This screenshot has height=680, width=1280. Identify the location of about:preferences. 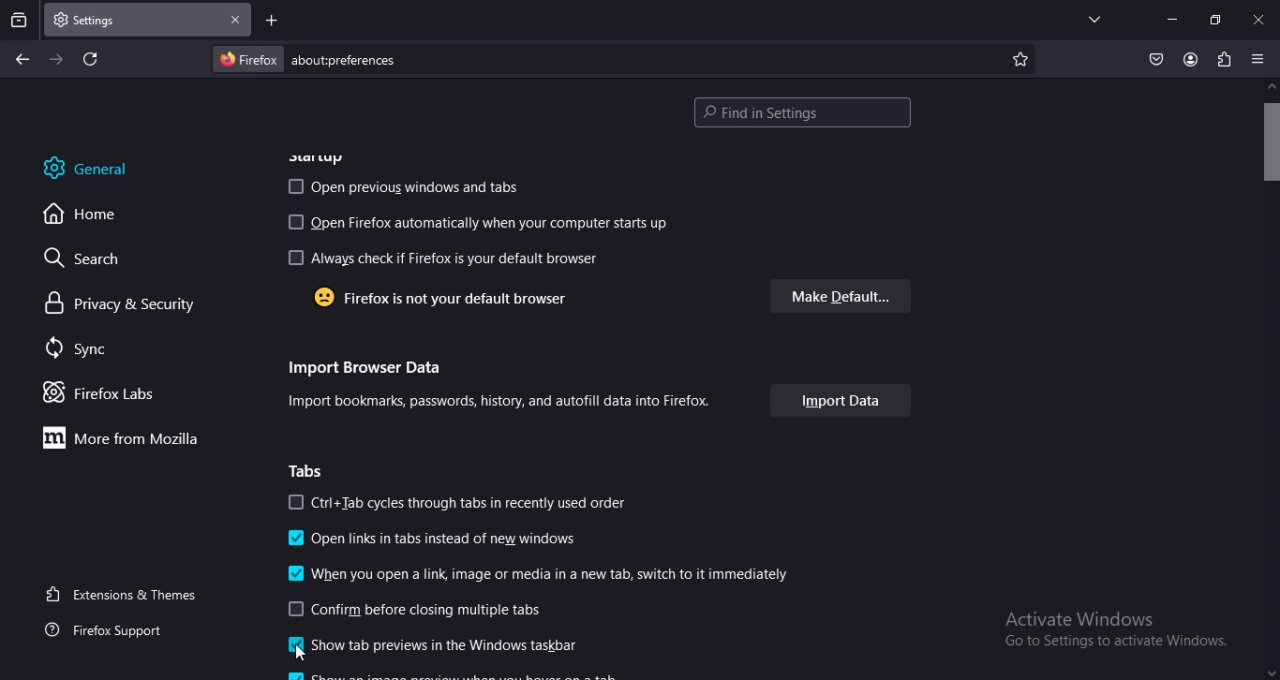
(460, 59).